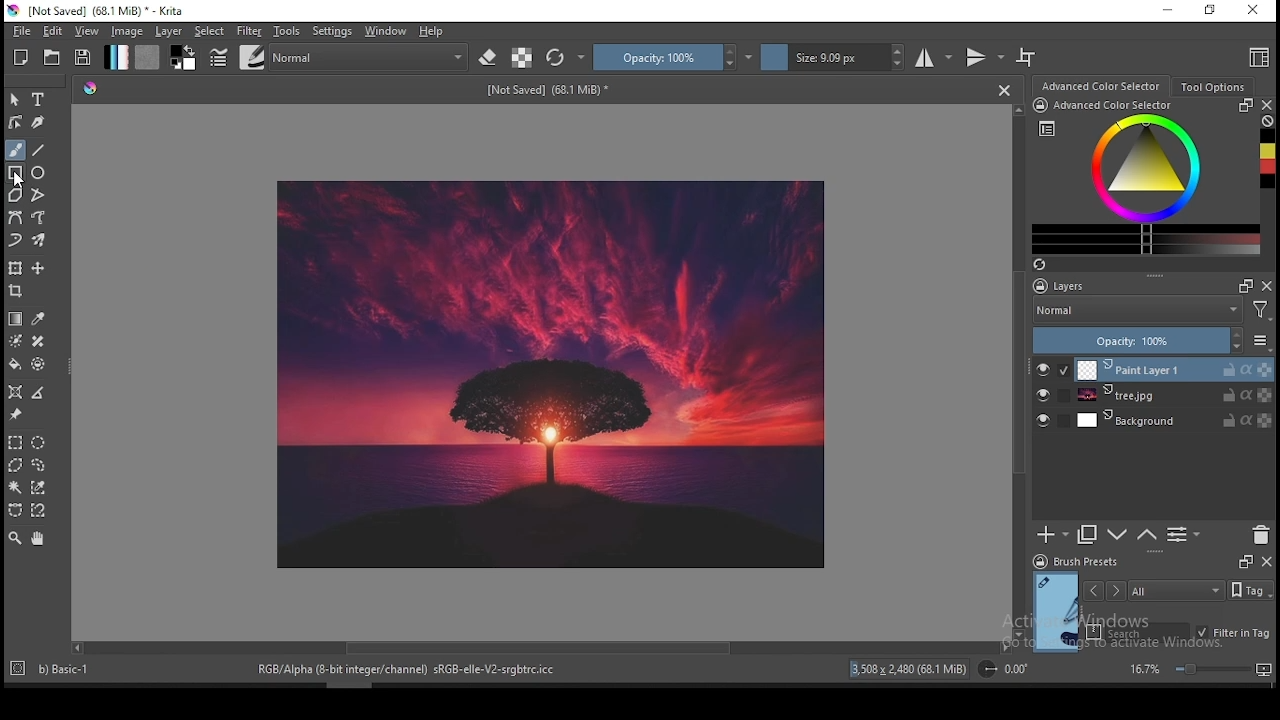 The width and height of the screenshot is (1280, 720). Describe the element at coordinates (16, 269) in the screenshot. I see `transform a layer or a selection` at that location.